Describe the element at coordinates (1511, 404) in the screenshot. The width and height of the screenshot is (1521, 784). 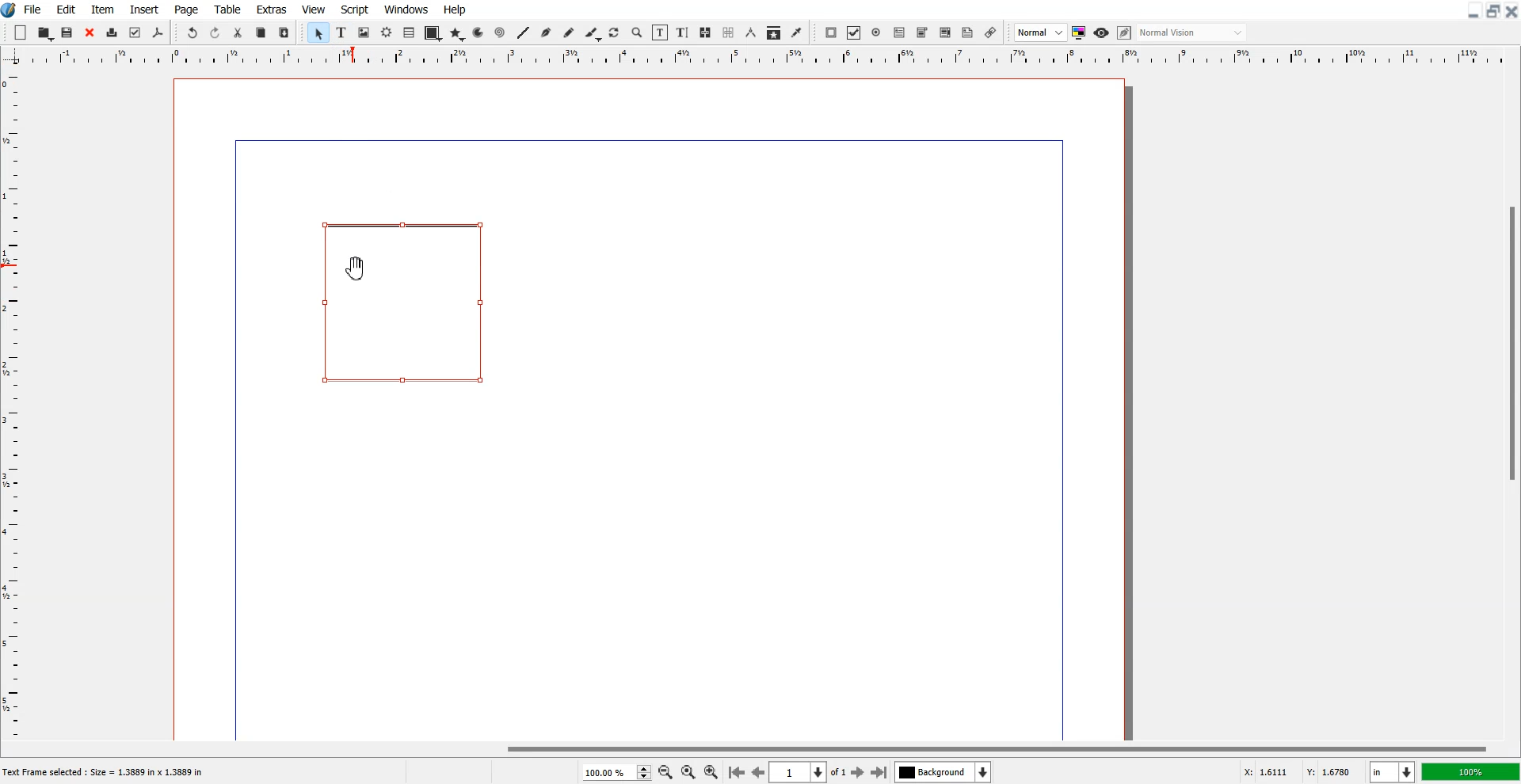
I see `Vertical Scroll bar` at that location.